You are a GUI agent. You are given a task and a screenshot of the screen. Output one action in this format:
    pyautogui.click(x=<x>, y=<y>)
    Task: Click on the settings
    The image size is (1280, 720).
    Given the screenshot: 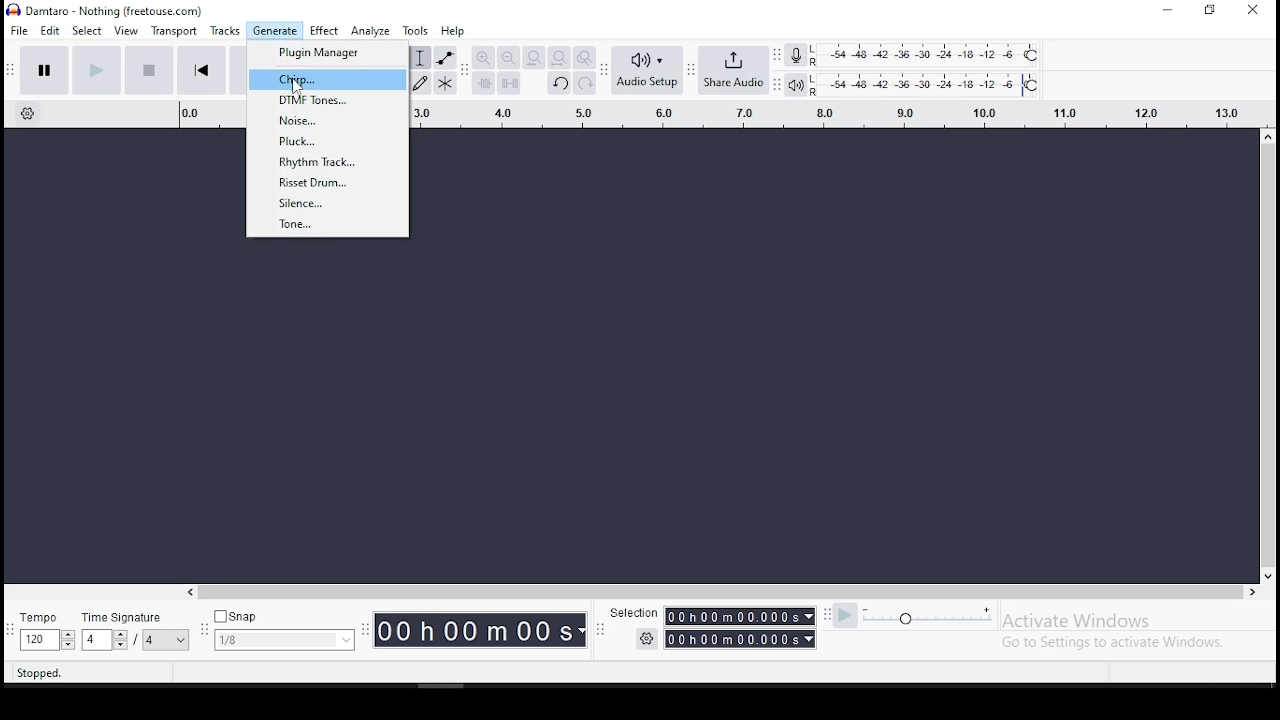 What is the action you would take?
    pyautogui.click(x=642, y=638)
    